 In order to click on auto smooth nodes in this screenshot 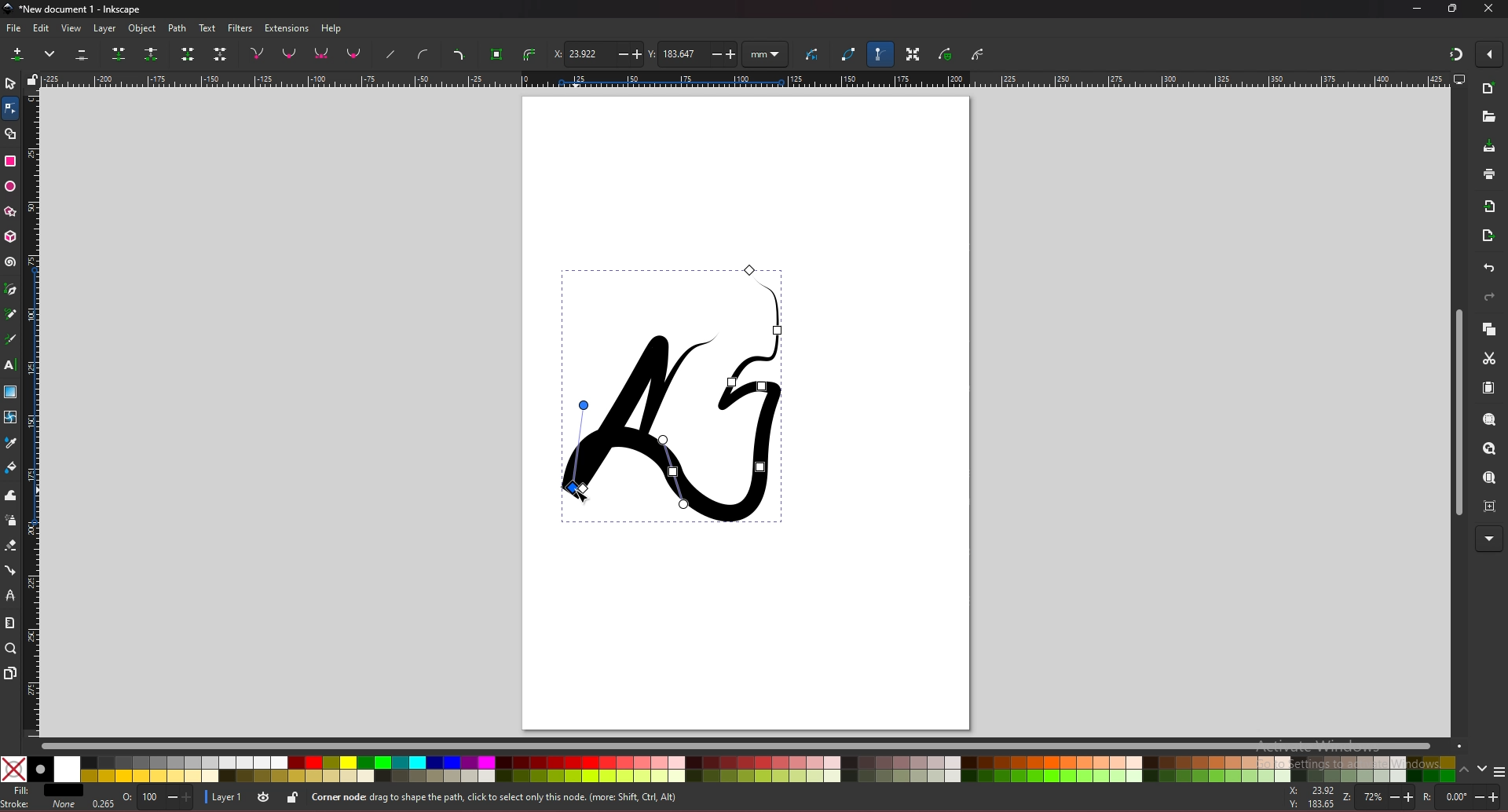, I will do `click(353, 53)`.